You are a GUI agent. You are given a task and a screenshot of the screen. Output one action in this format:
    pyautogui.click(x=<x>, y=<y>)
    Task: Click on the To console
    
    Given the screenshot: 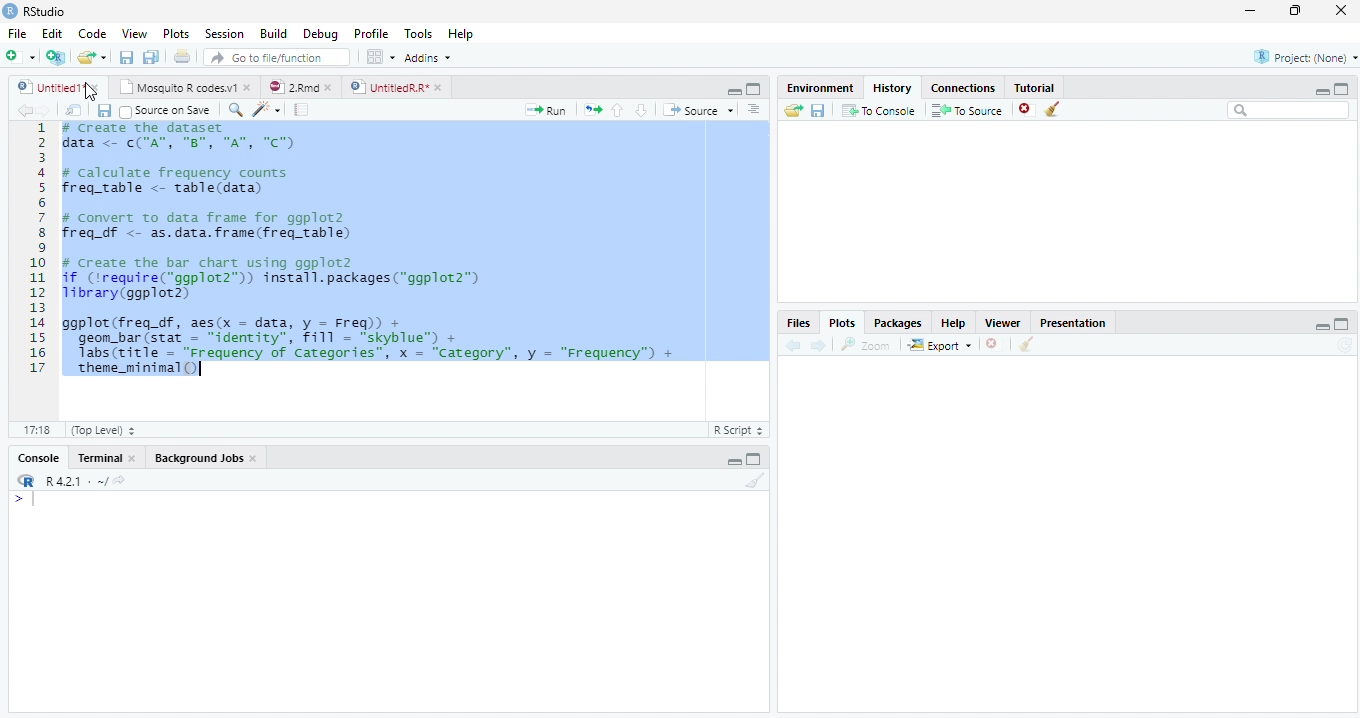 What is the action you would take?
    pyautogui.click(x=879, y=111)
    